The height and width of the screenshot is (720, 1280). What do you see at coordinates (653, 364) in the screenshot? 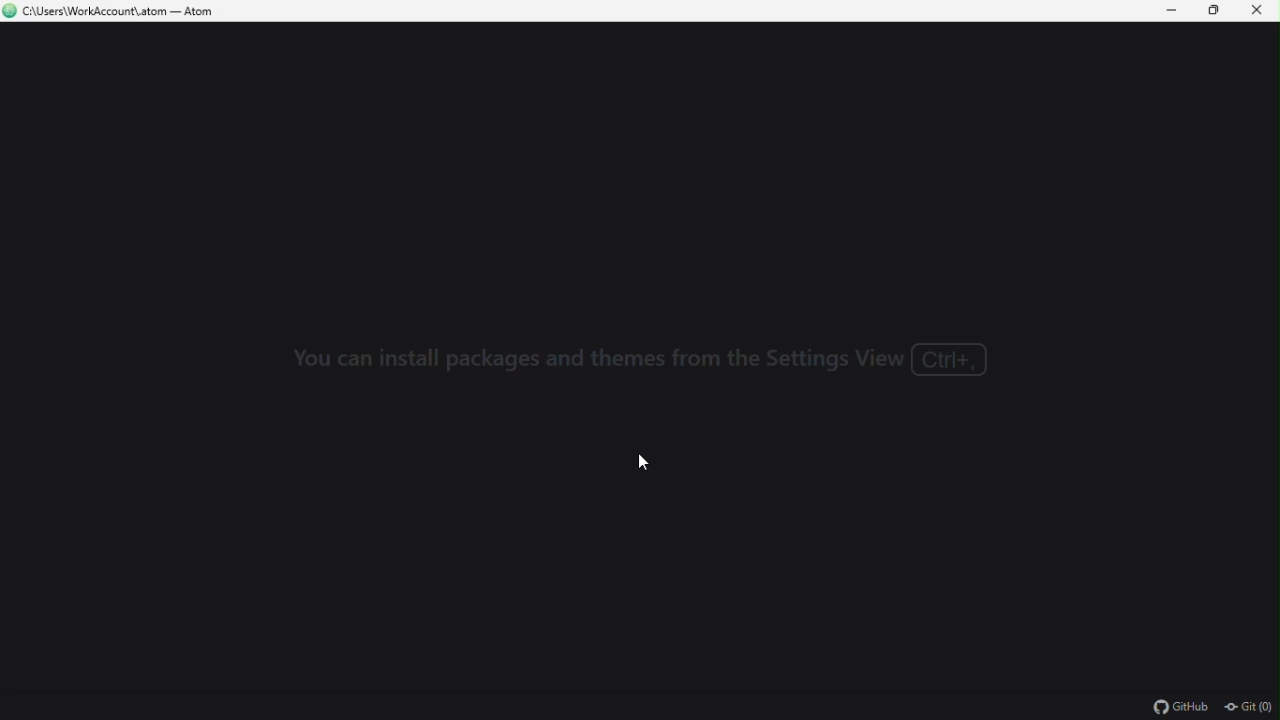
I see `Text` at bounding box center [653, 364].